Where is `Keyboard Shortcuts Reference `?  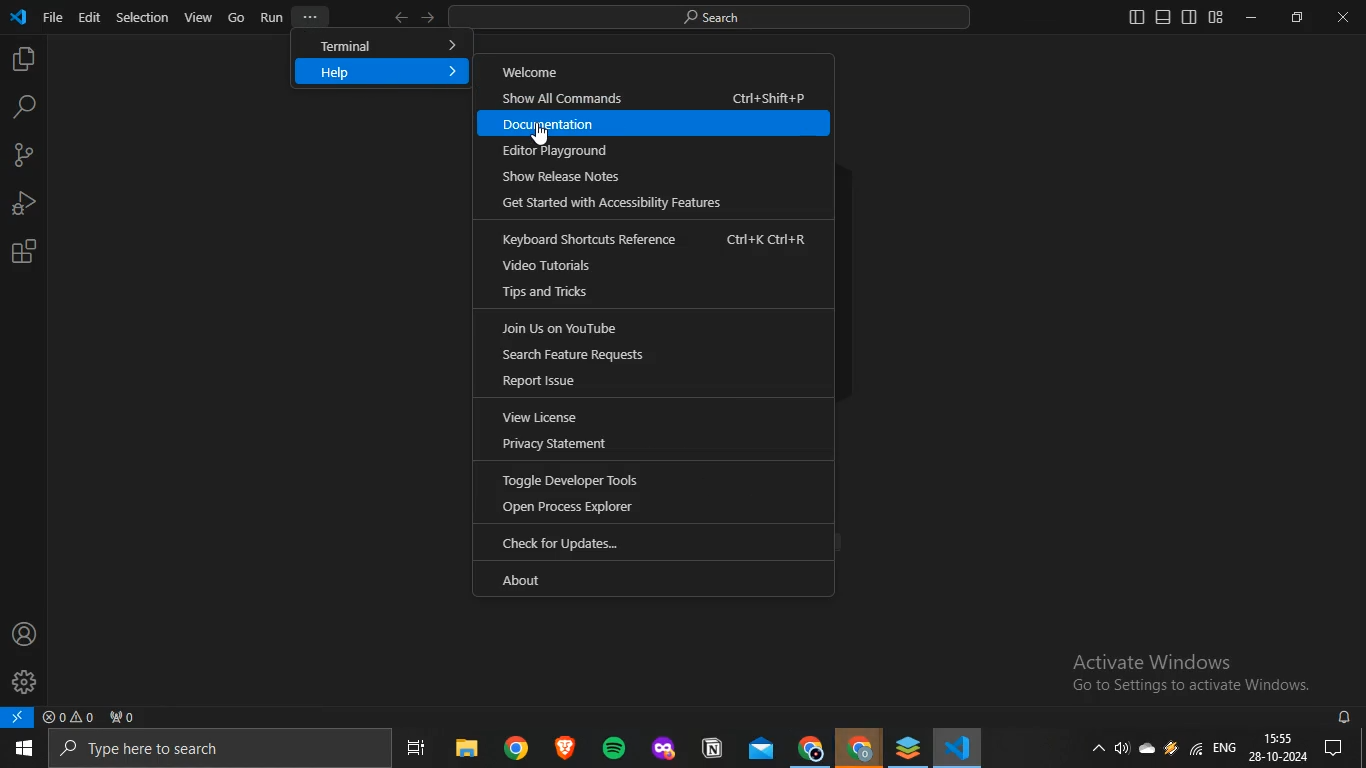
Keyboard Shortcuts Reference  is located at coordinates (651, 236).